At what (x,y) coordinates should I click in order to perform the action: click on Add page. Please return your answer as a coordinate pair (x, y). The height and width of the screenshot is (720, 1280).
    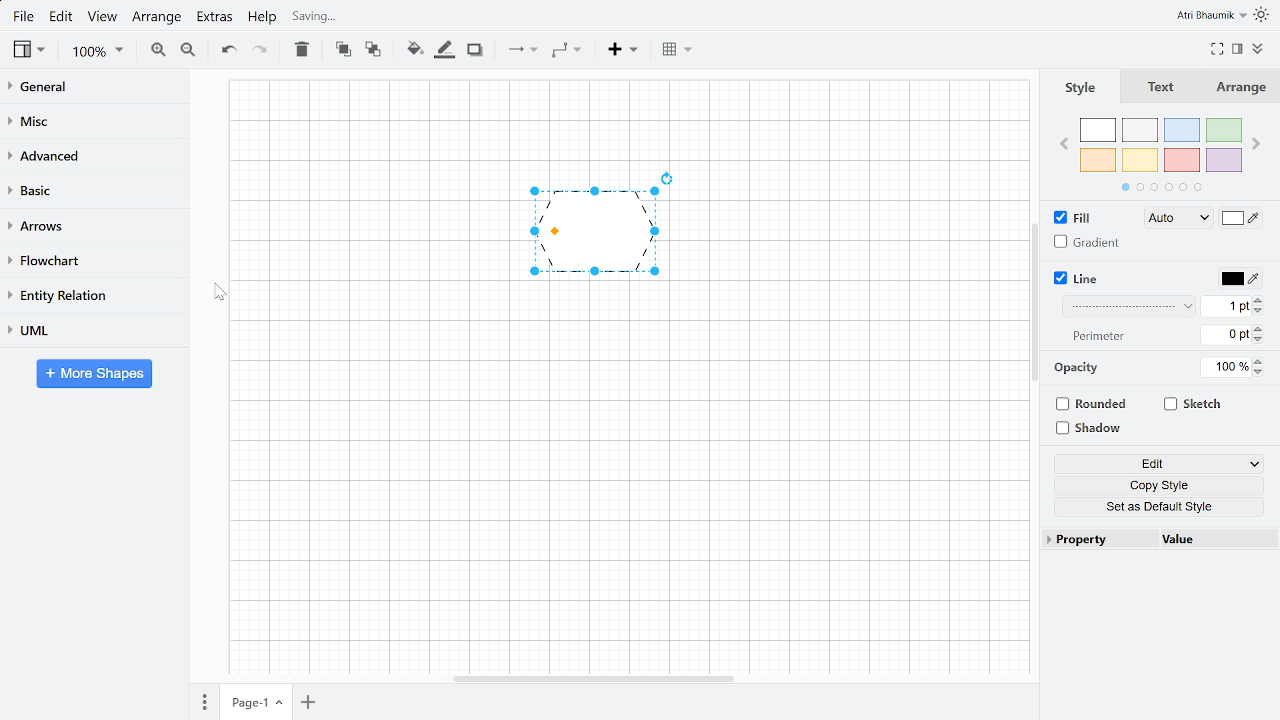
    Looking at the image, I should click on (307, 702).